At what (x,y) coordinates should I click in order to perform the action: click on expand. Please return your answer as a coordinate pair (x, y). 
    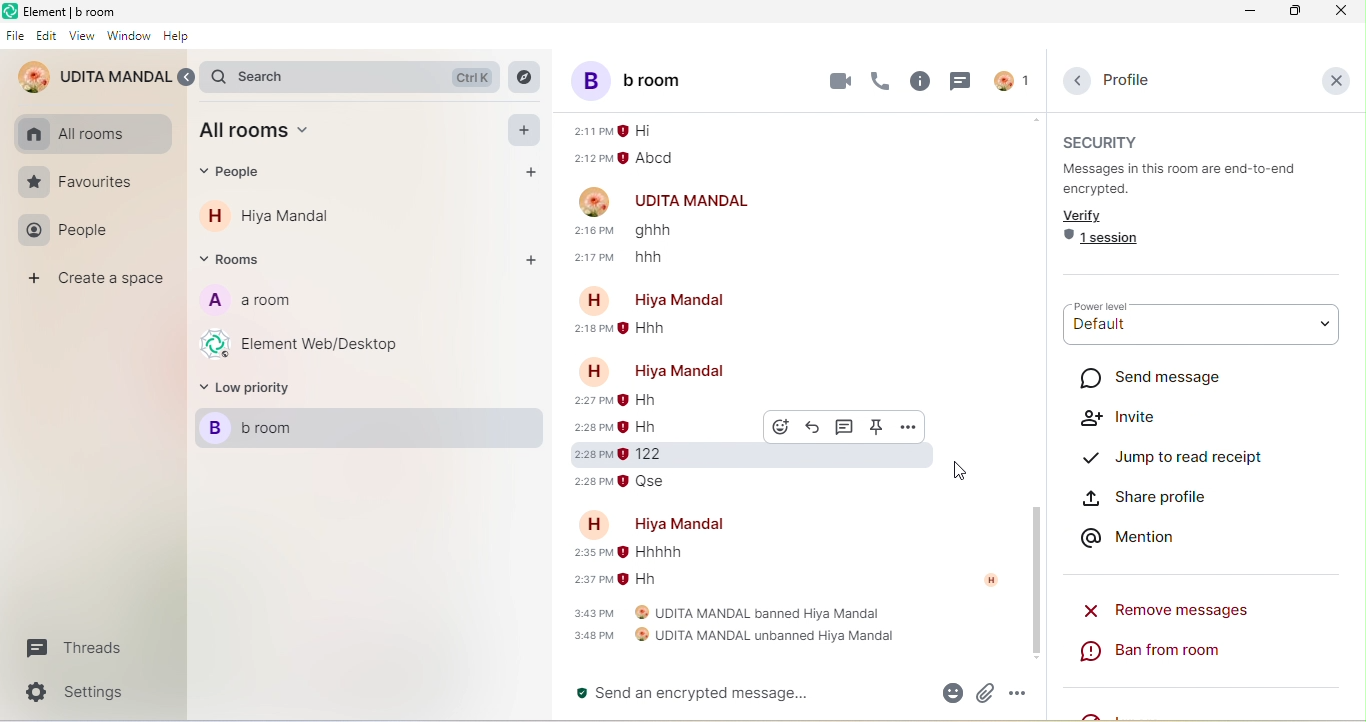
    Looking at the image, I should click on (189, 78).